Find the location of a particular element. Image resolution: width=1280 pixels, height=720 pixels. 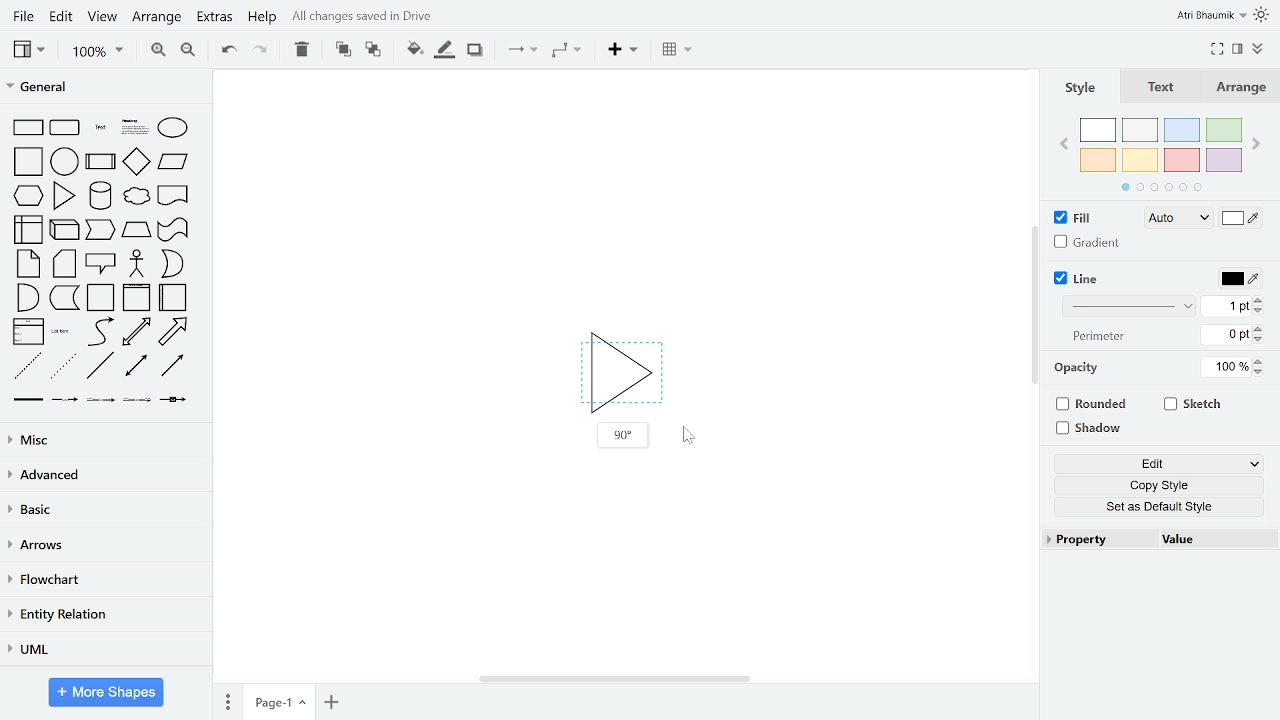

extras is located at coordinates (214, 18).